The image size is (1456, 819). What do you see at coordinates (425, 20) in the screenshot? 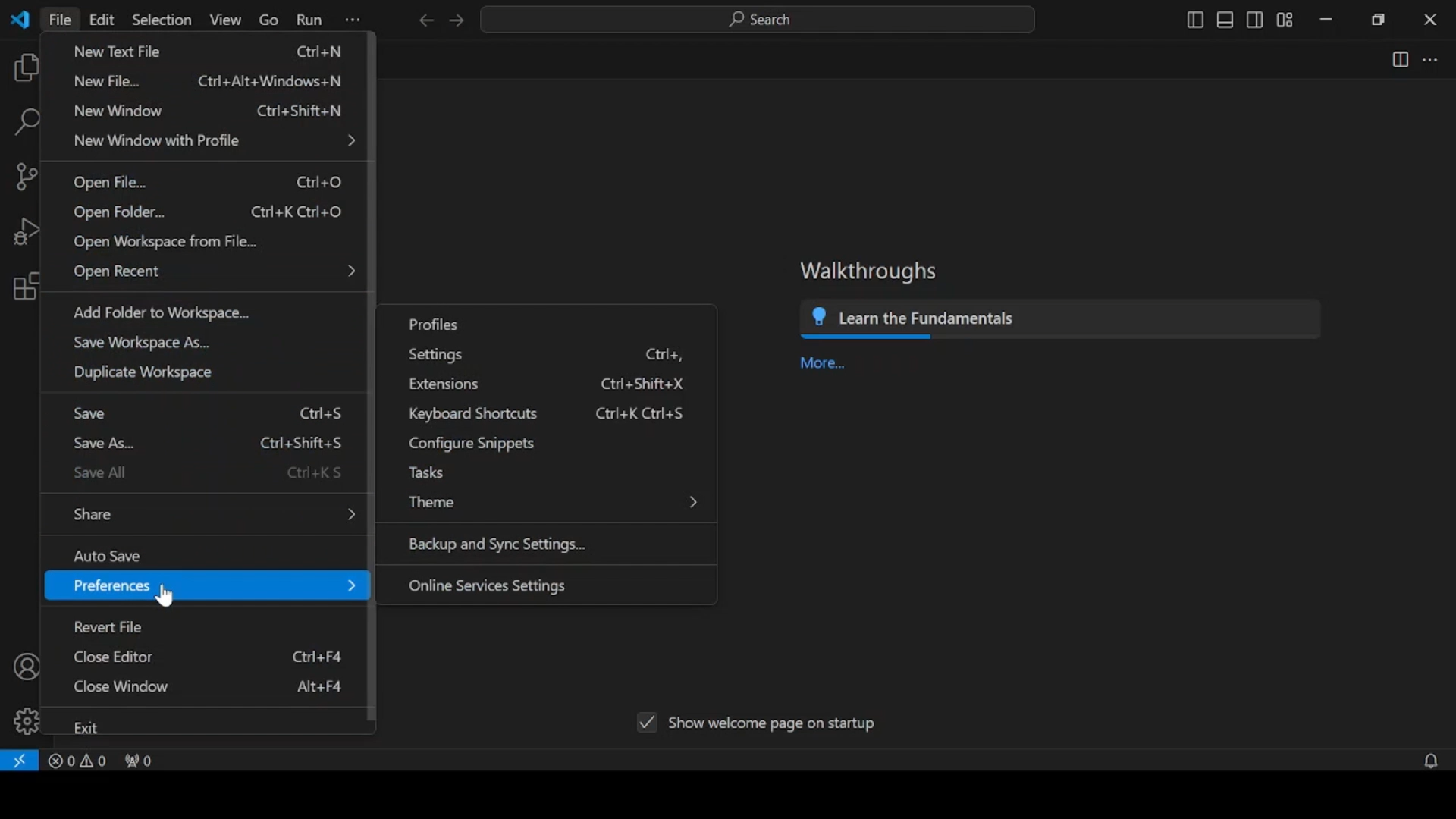
I see `previous` at bounding box center [425, 20].